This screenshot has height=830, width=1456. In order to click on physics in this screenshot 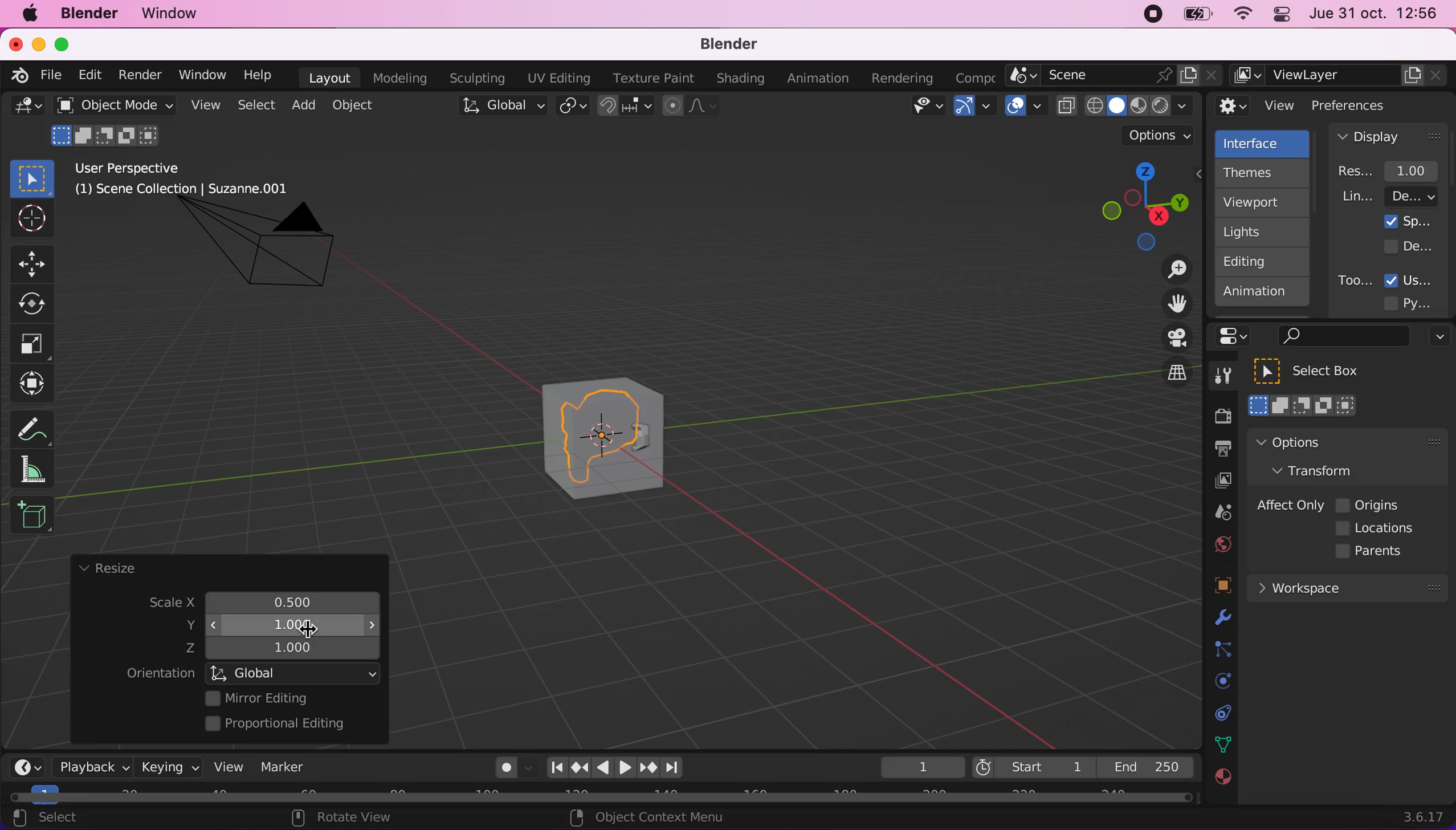, I will do `click(1220, 619)`.